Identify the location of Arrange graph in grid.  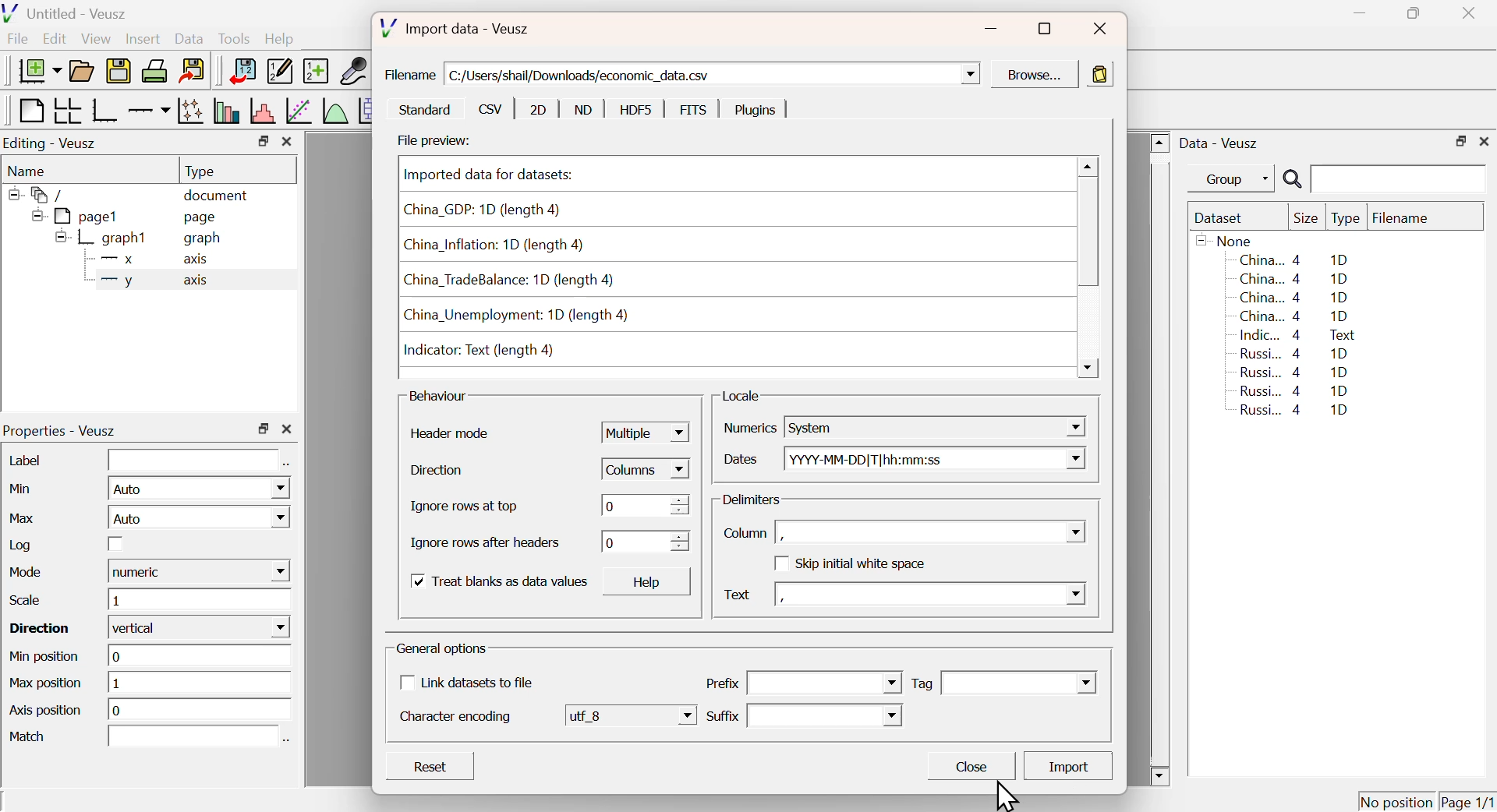
(66, 110).